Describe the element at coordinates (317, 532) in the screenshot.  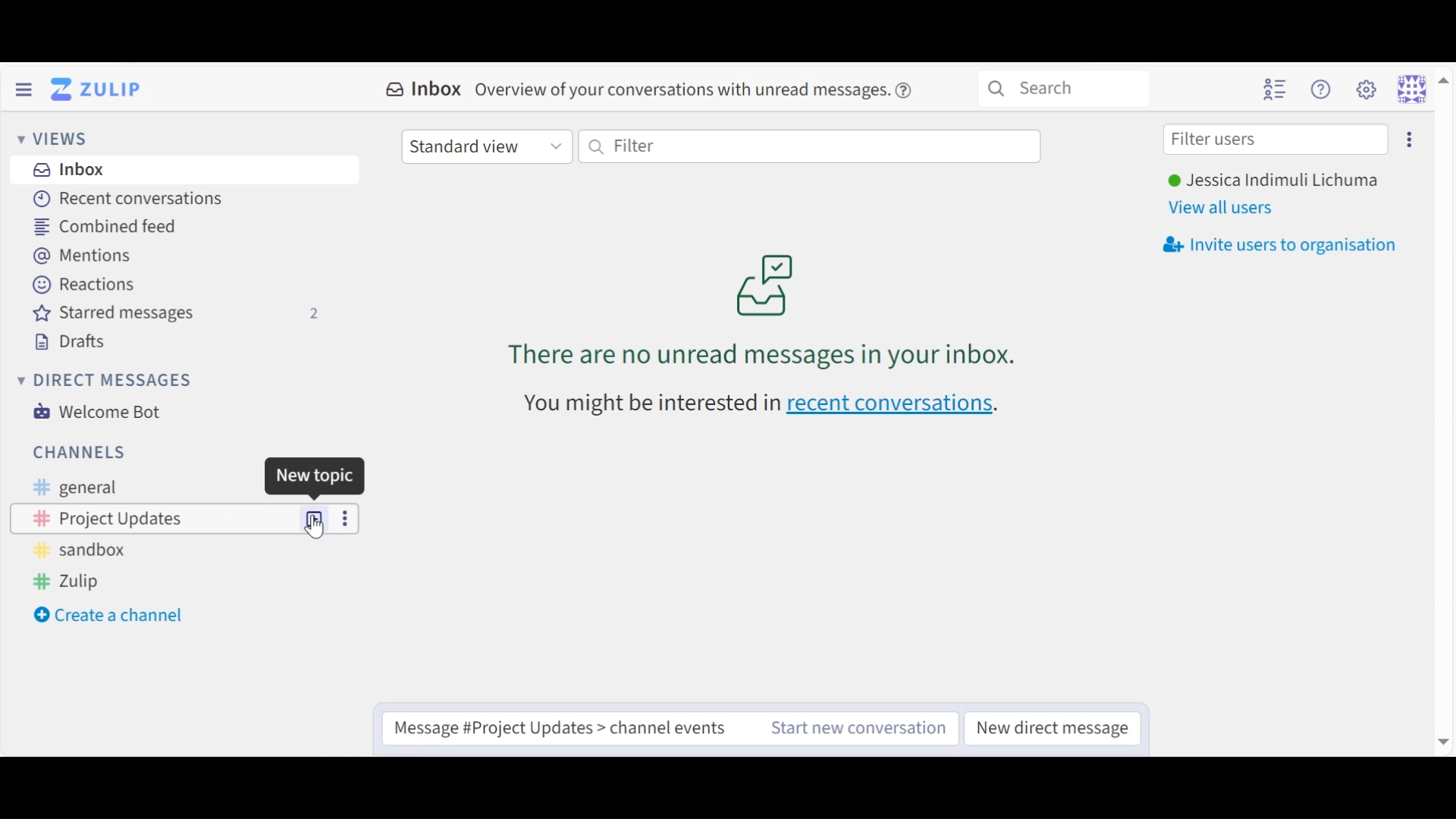
I see `Cursor` at that location.